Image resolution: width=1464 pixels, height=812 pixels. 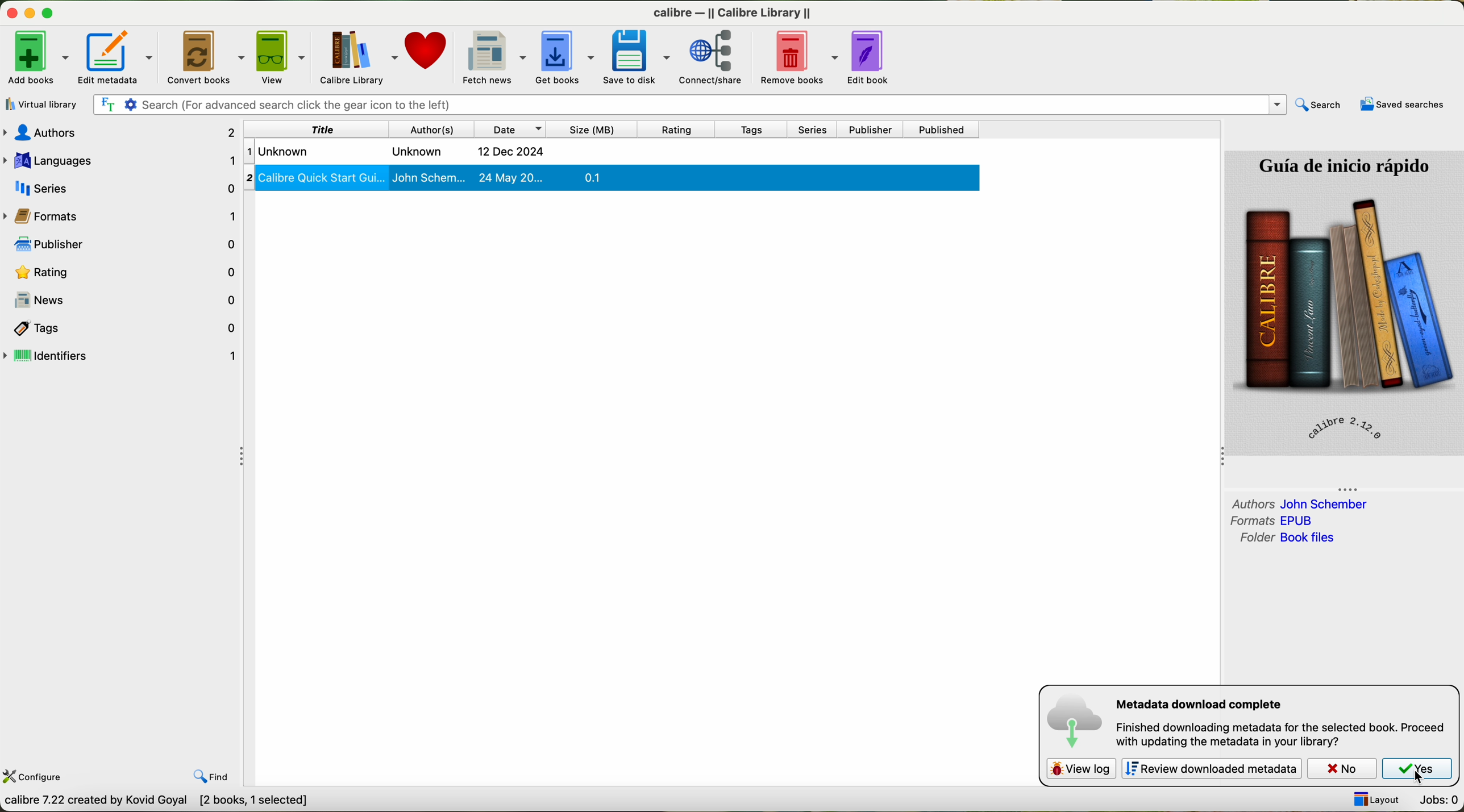 What do you see at coordinates (1246, 721) in the screenshot?
I see `metadata download complete finished downloading metadata for the selected boo.proceed with updating the multimedia in library?` at bounding box center [1246, 721].